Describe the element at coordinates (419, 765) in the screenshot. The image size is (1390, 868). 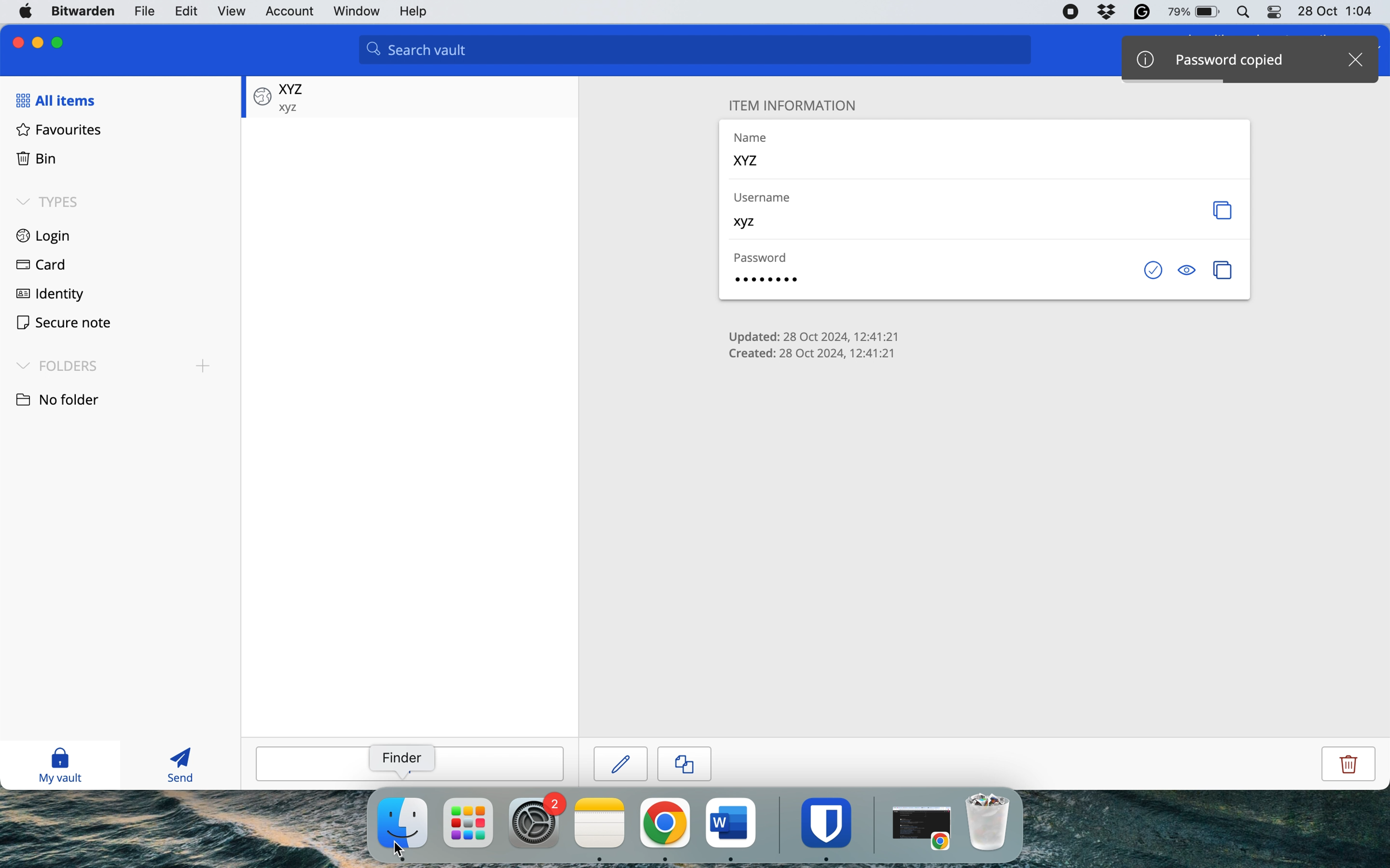
I see `add item` at that location.